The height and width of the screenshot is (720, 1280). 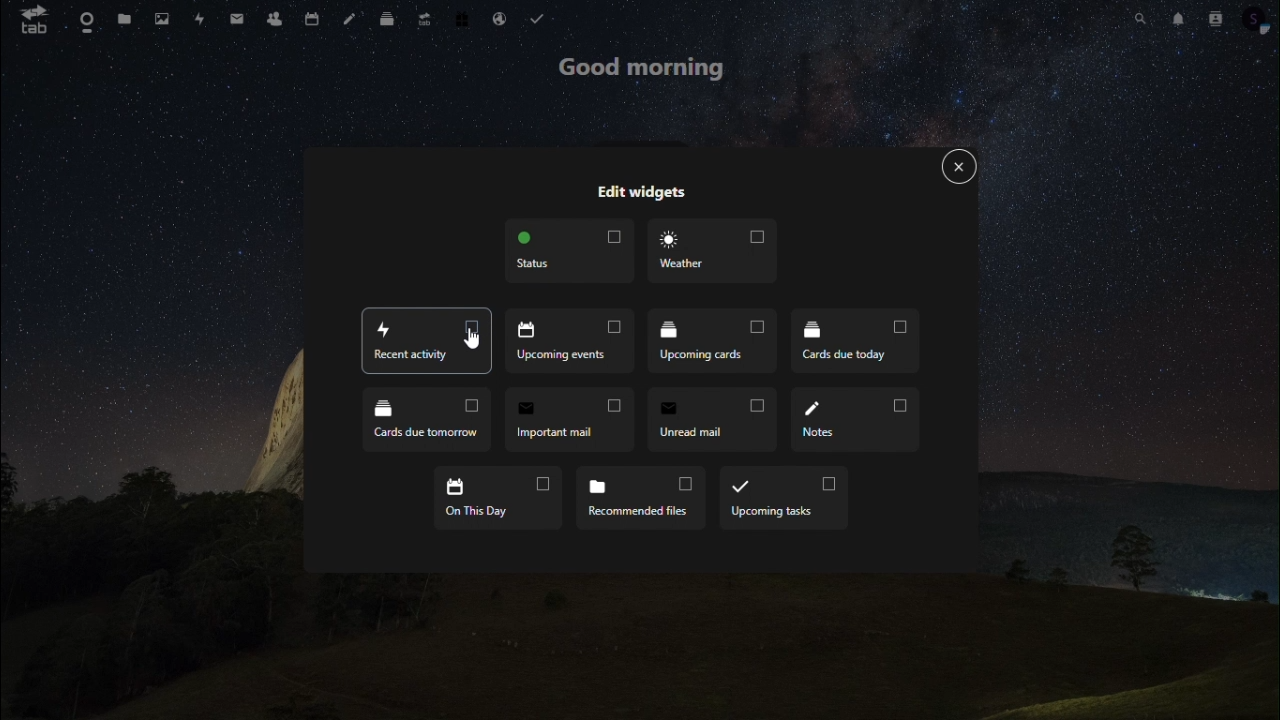 I want to click on upgrade, so click(x=423, y=23).